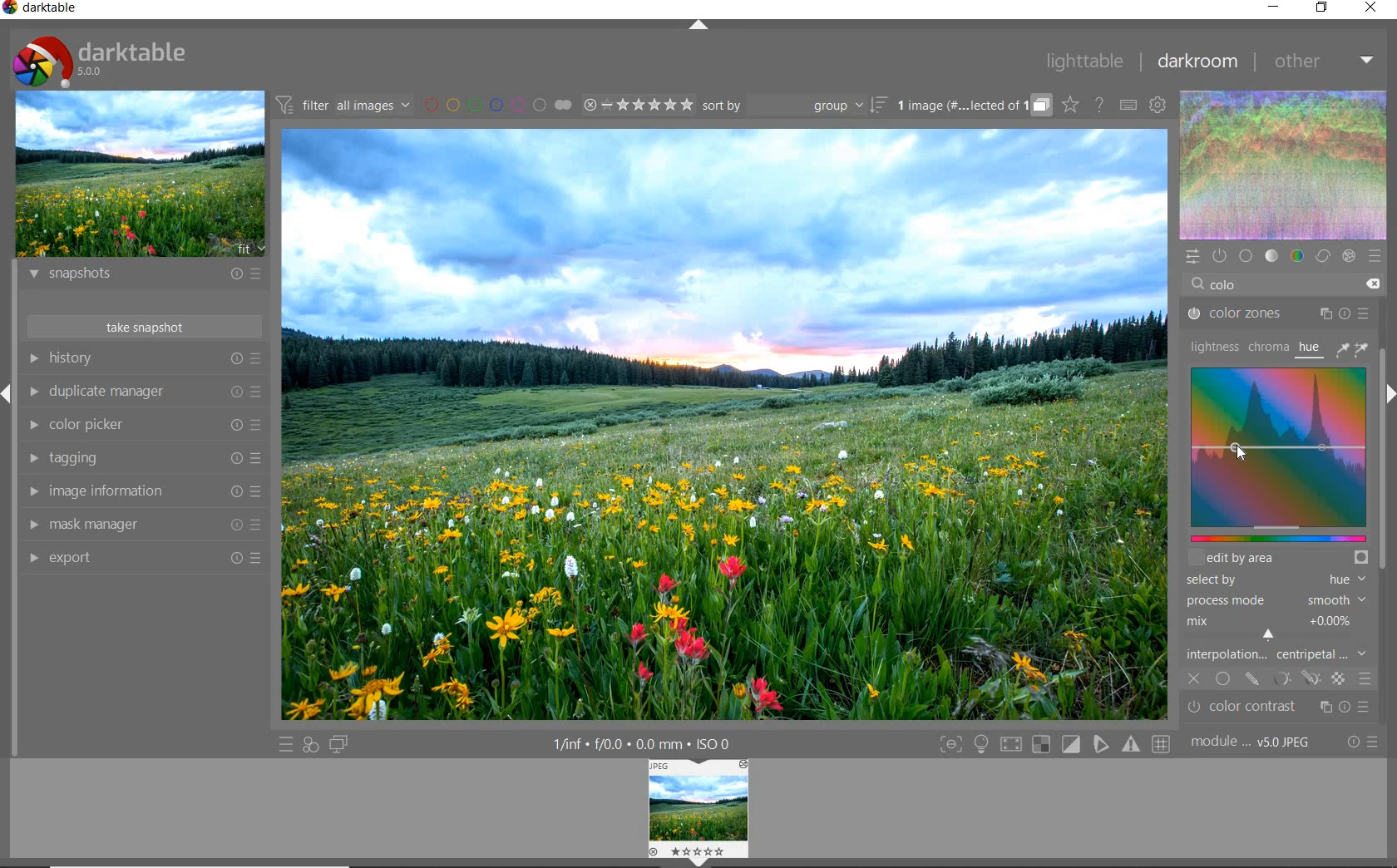  What do you see at coordinates (1296, 256) in the screenshot?
I see `color` at bounding box center [1296, 256].